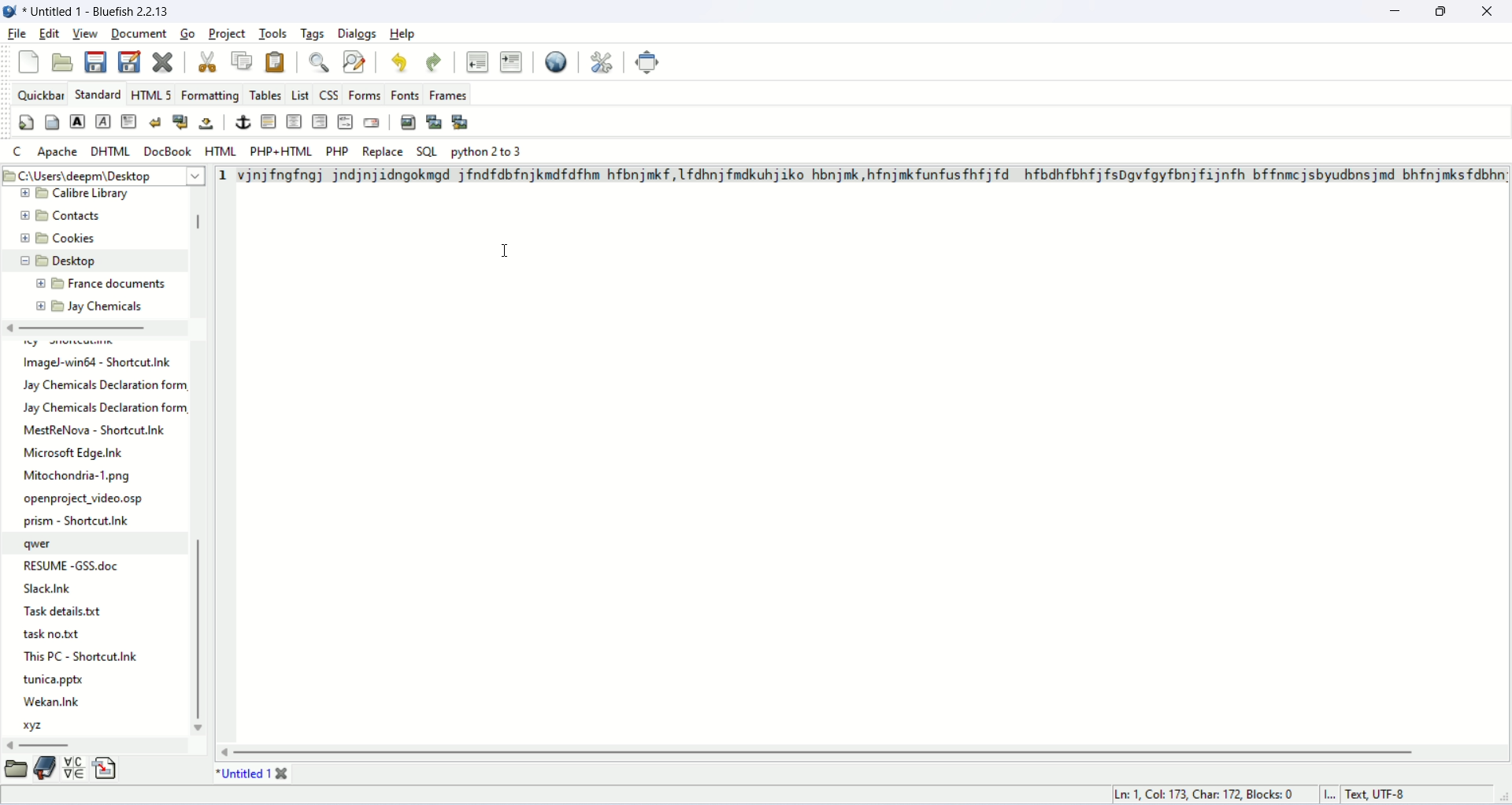 The height and width of the screenshot is (805, 1512). Describe the element at coordinates (83, 239) in the screenshot. I see `Cookies` at that location.